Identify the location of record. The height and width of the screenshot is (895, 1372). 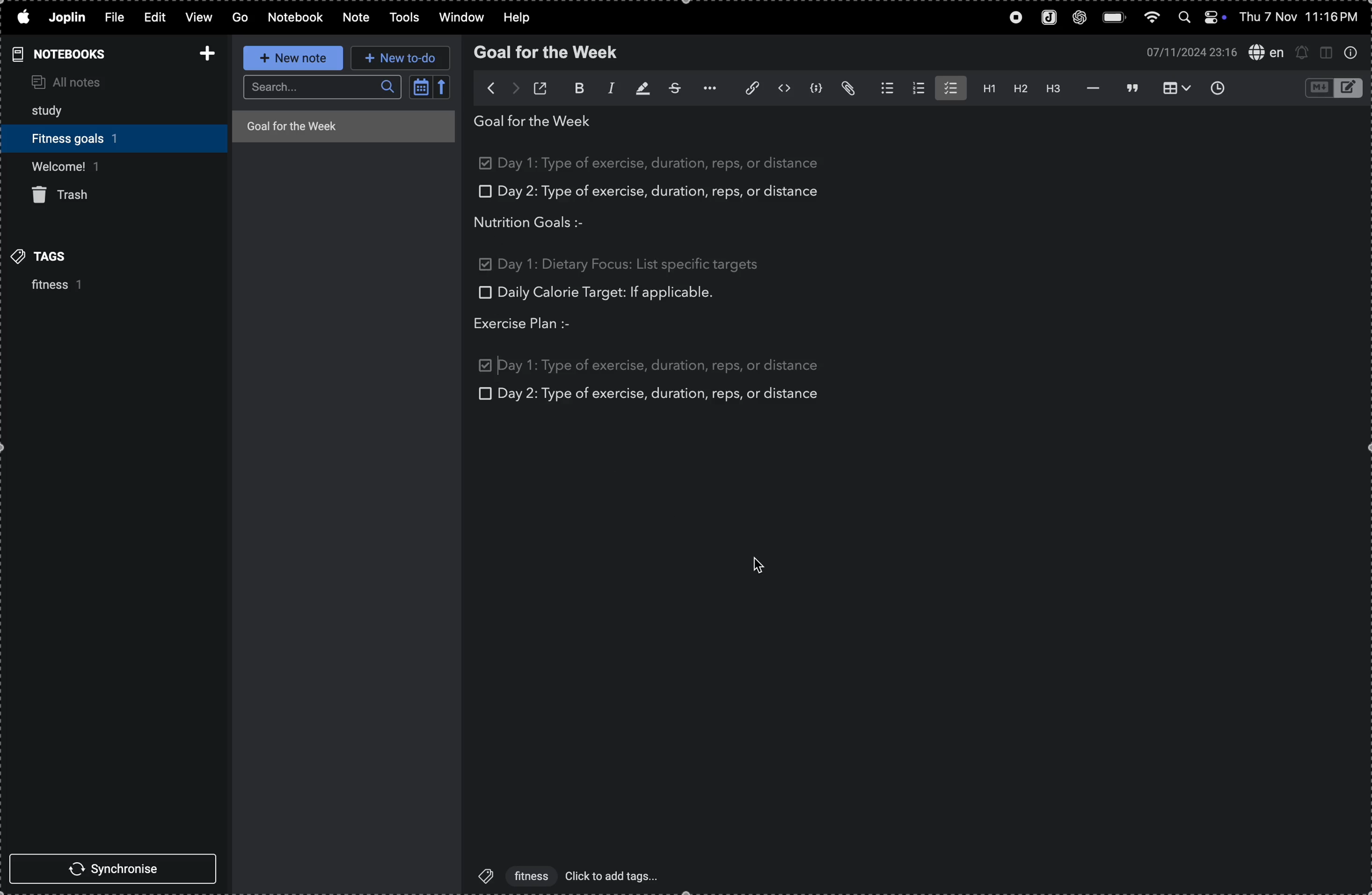
(1009, 18).